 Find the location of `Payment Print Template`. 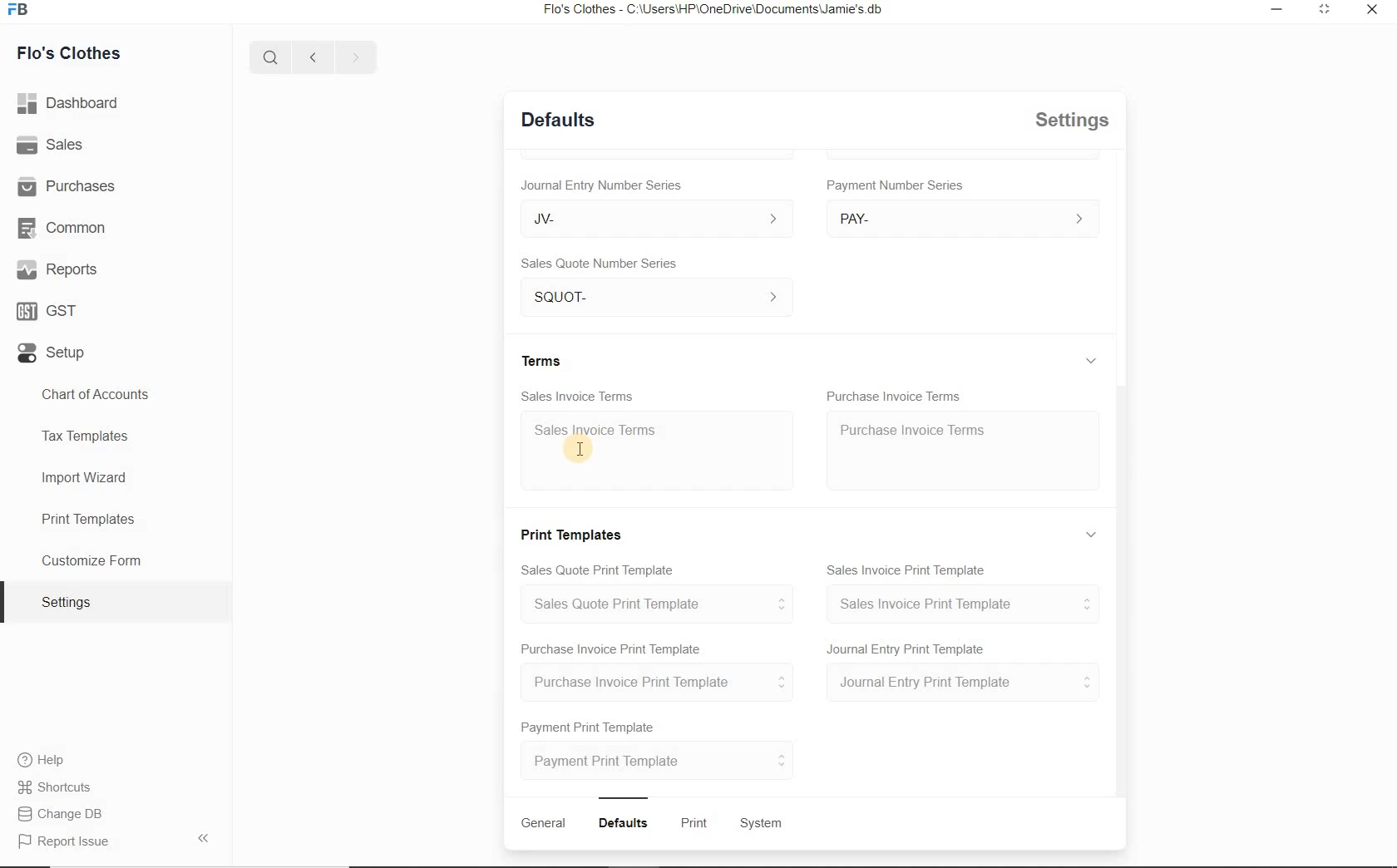

Payment Print Template is located at coordinates (590, 724).